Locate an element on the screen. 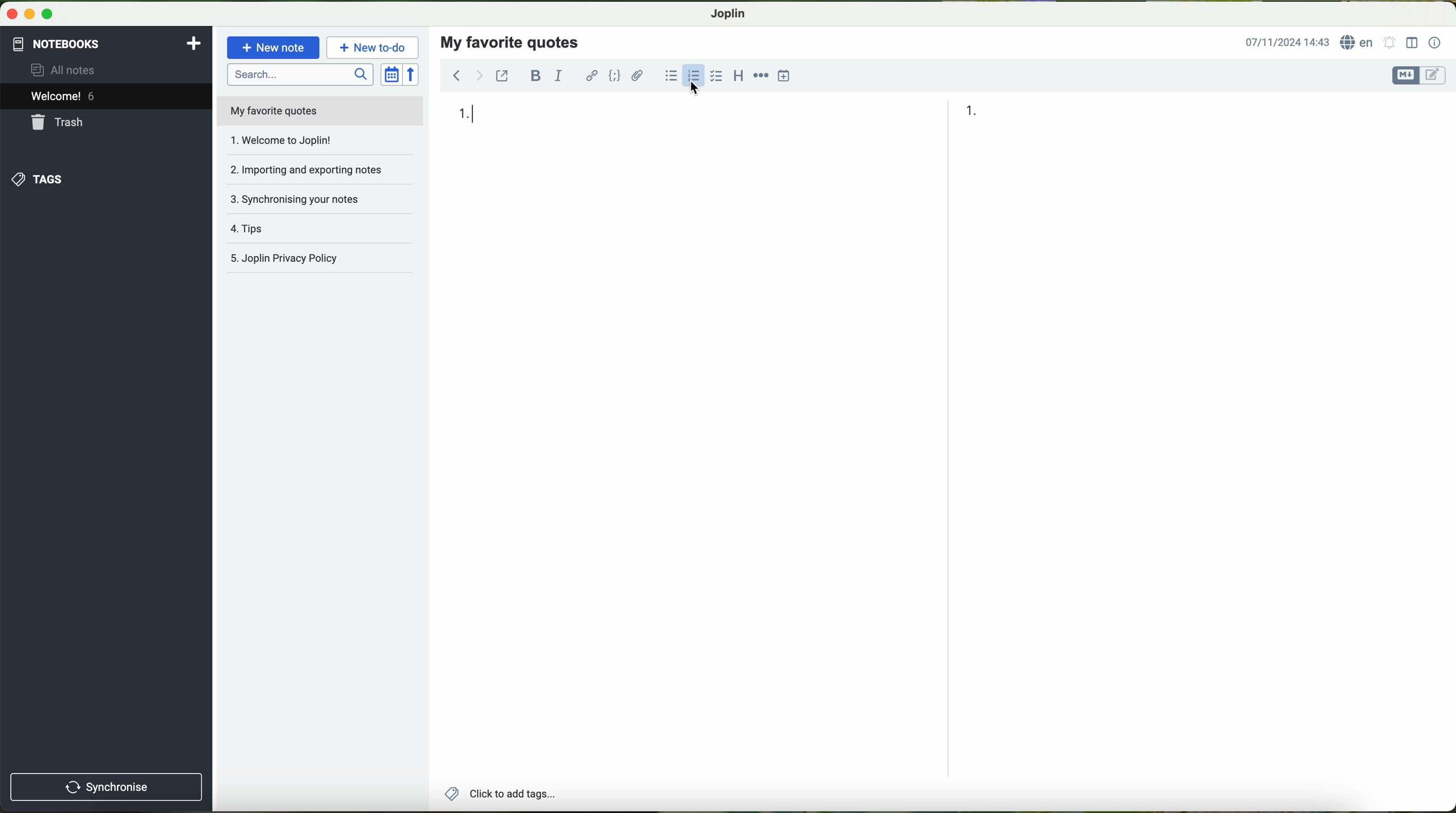 The width and height of the screenshot is (1456, 813). language is located at coordinates (1359, 42).